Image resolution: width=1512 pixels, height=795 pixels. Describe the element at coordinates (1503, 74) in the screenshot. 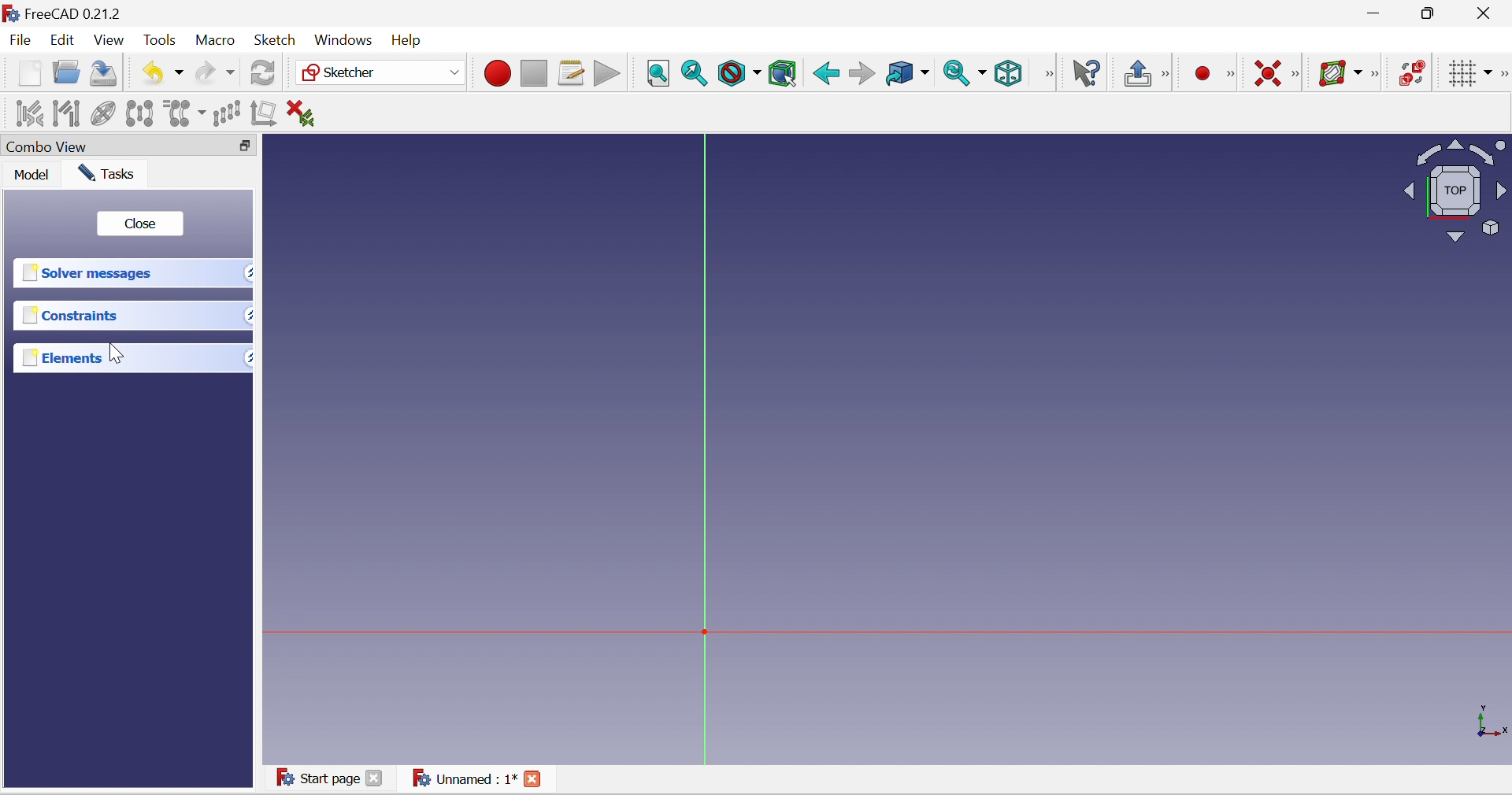

I see `[Sketcher edit tools]` at that location.